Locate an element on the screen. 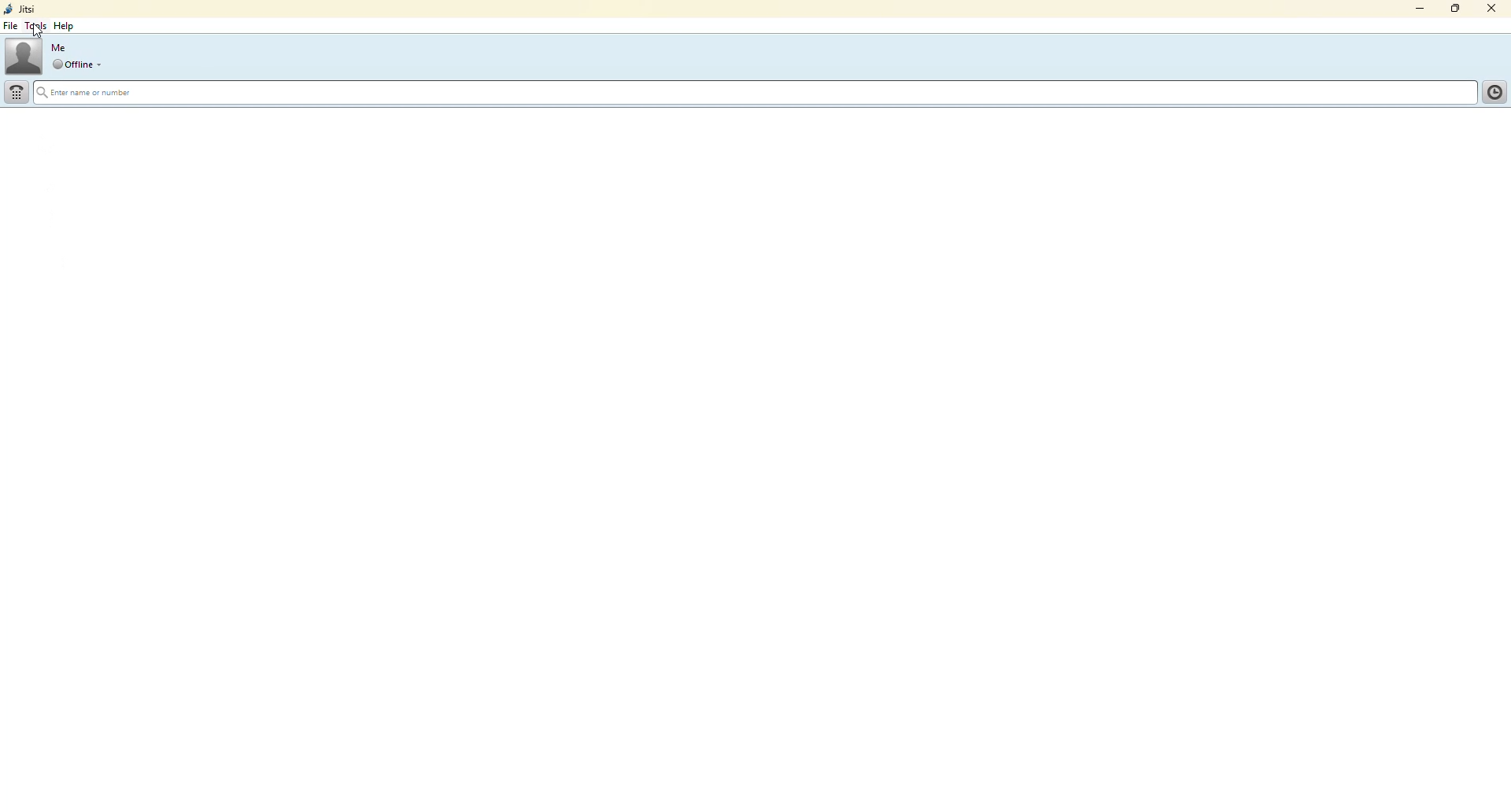 The image size is (1511, 812). call history is located at coordinates (1493, 94).